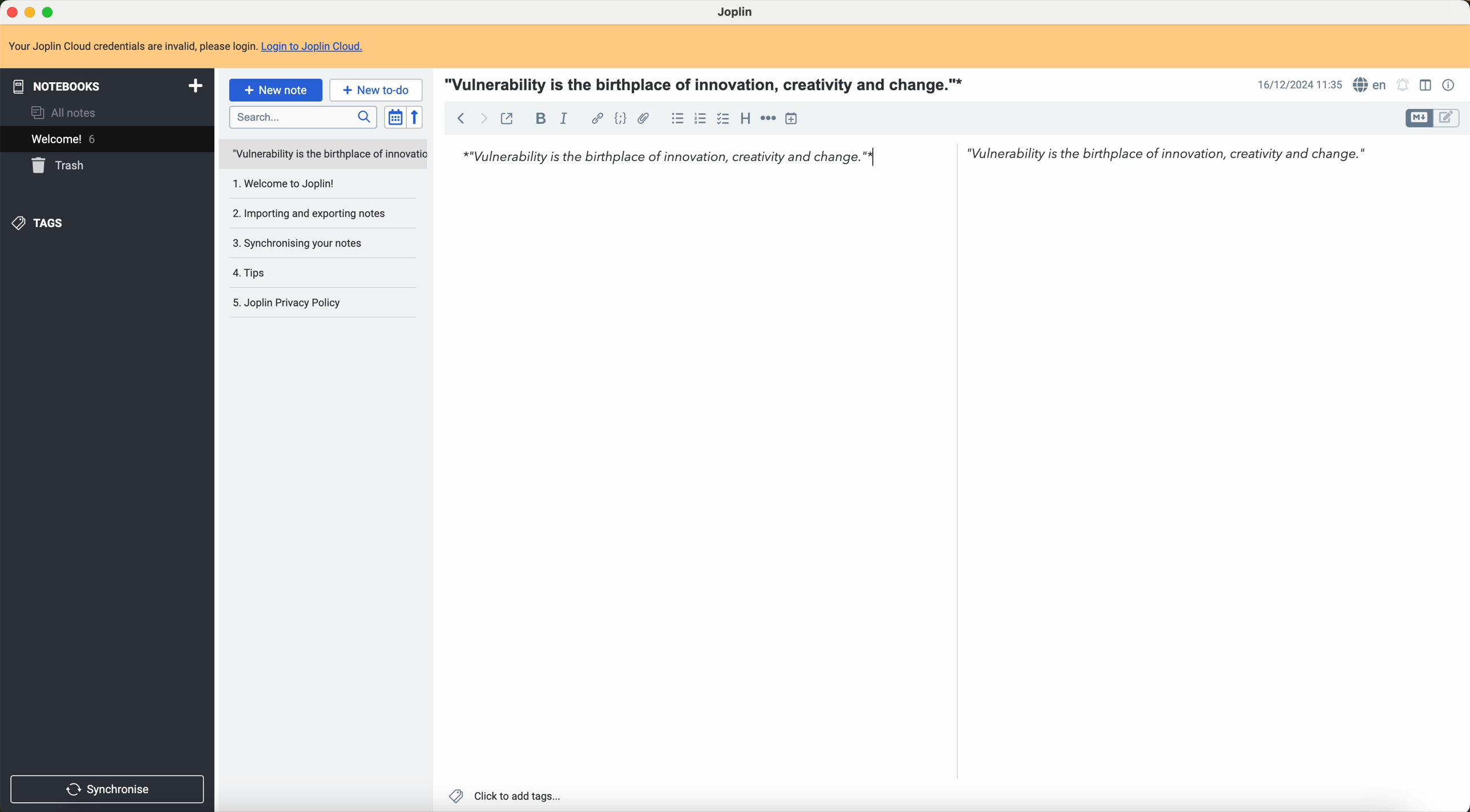 The width and height of the screenshot is (1470, 812). What do you see at coordinates (416, 117) in the screenshot?
I see `reverse sort order` at bounding box center [416, 117].